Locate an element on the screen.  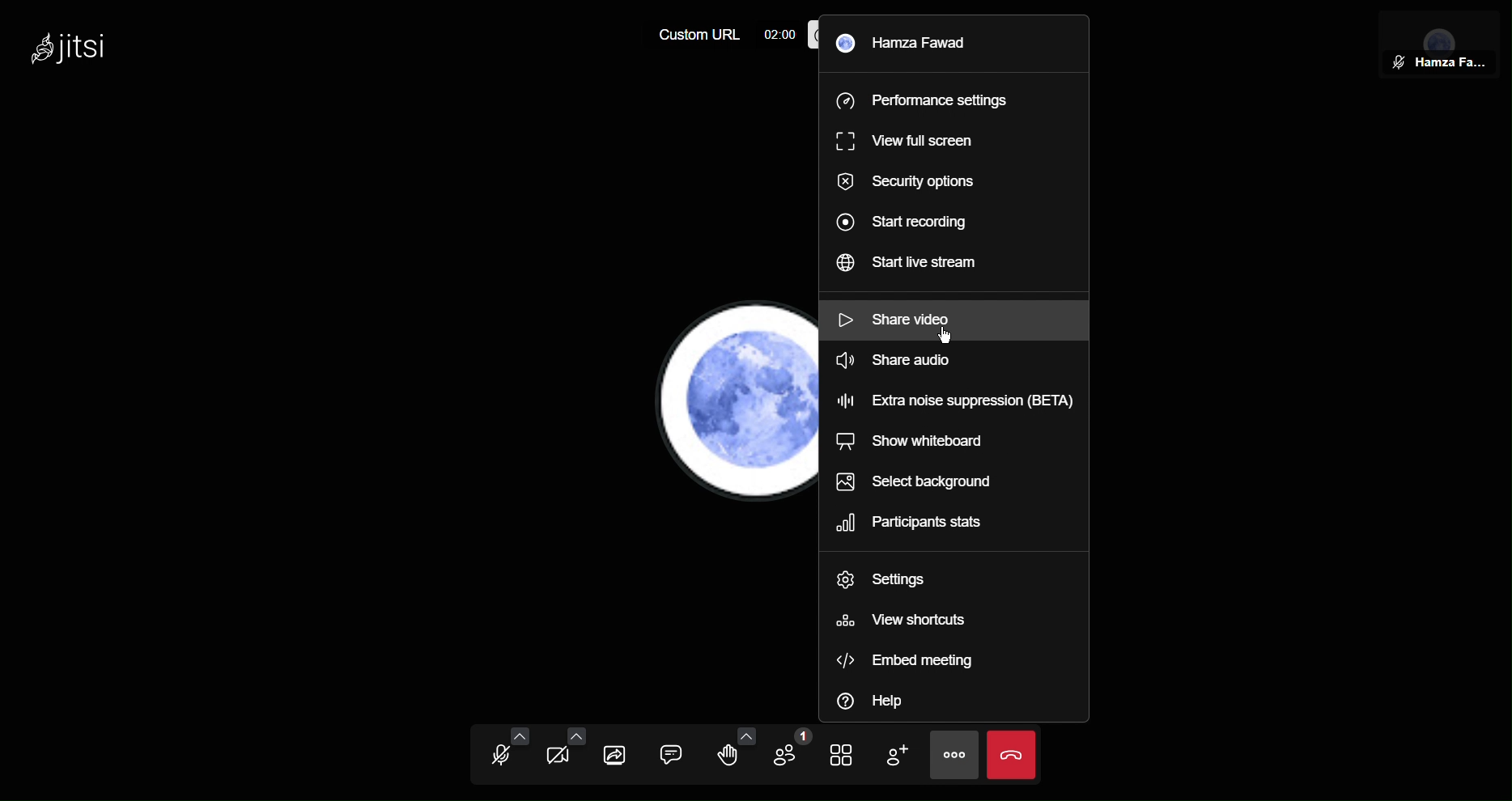
Participants is located at coordinates (788, 756).